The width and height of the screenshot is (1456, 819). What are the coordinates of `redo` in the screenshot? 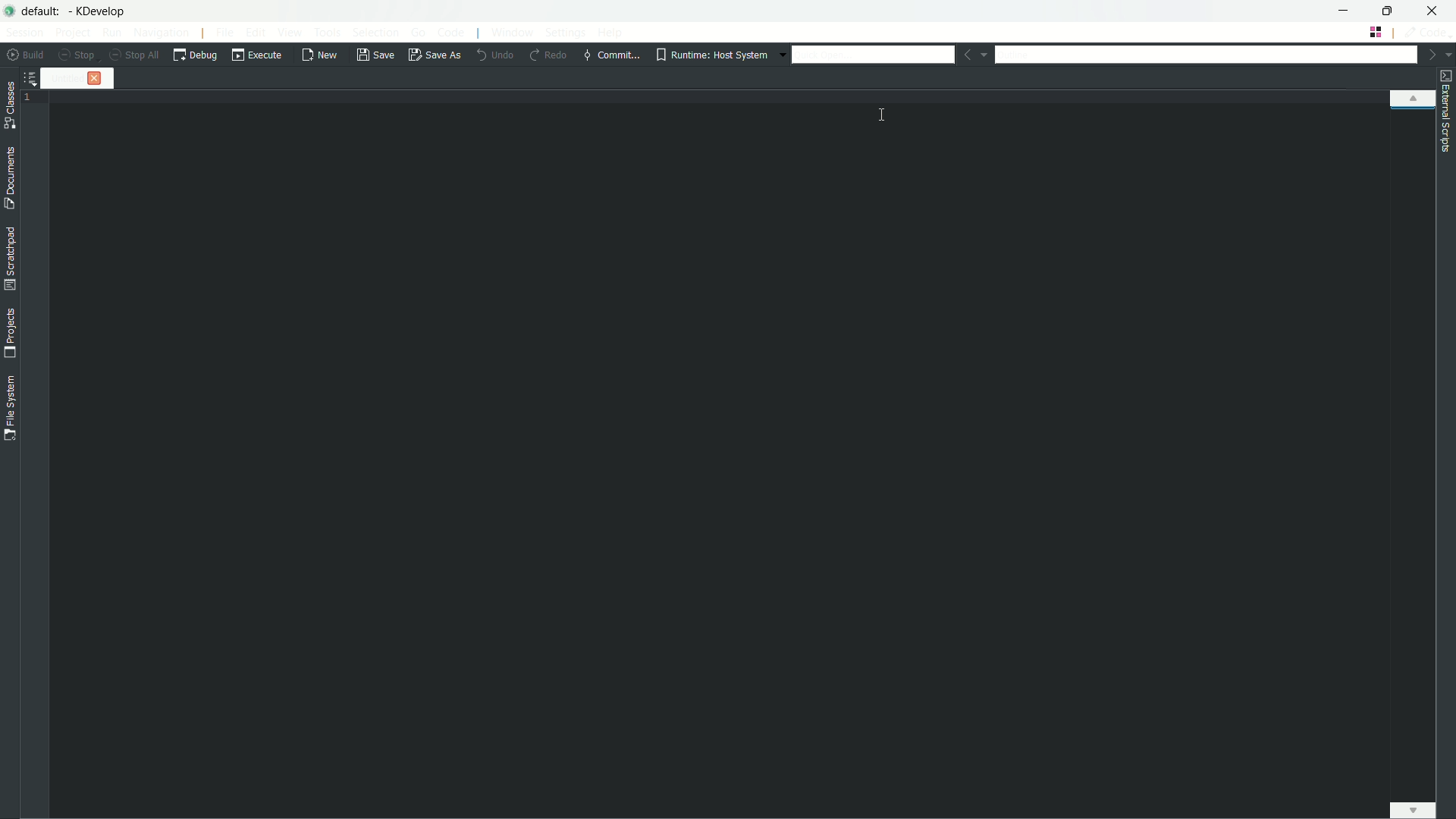 It's located at (548, 55).